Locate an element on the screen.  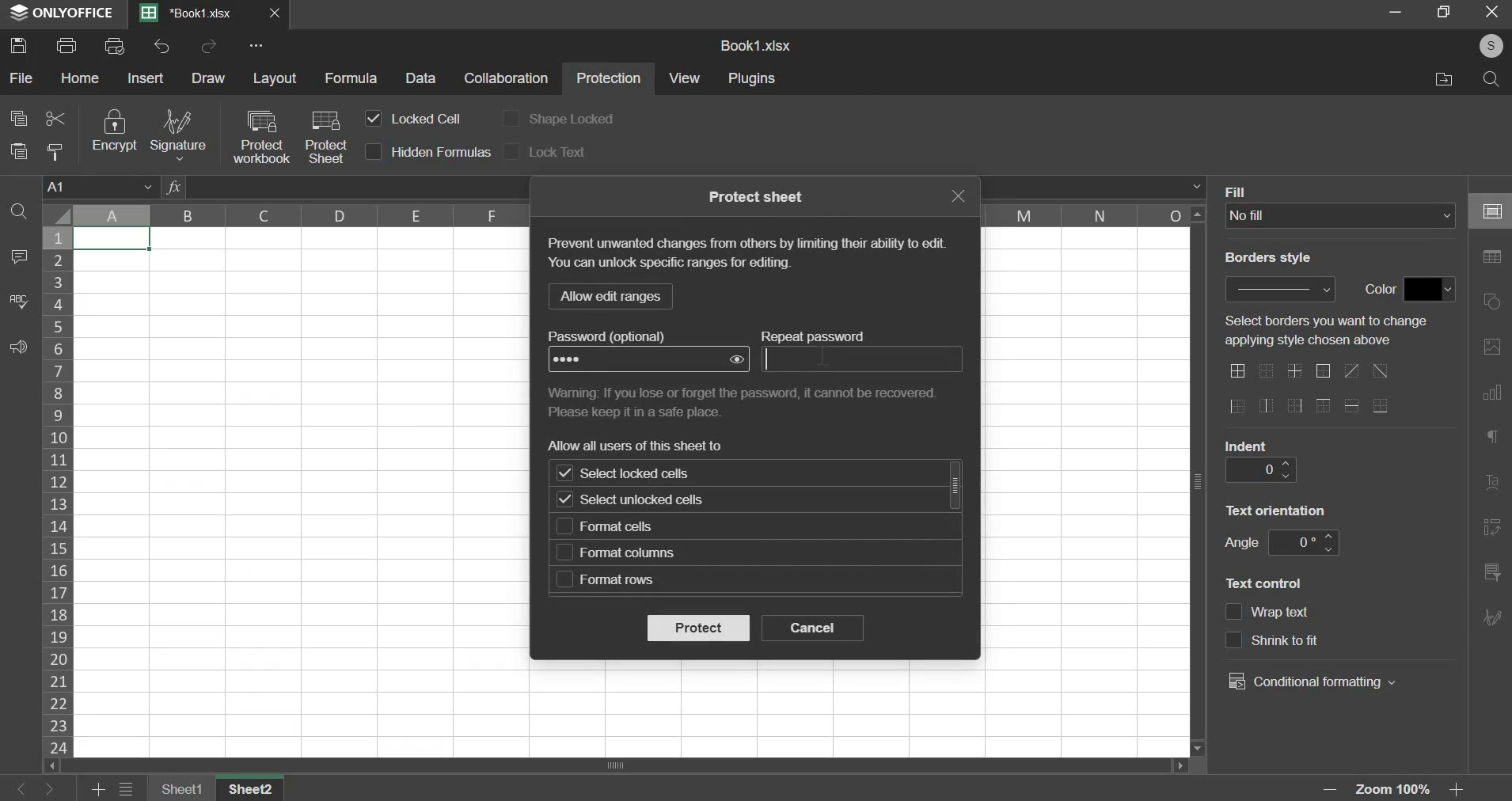
border options is located at coordinates (1324, 407).